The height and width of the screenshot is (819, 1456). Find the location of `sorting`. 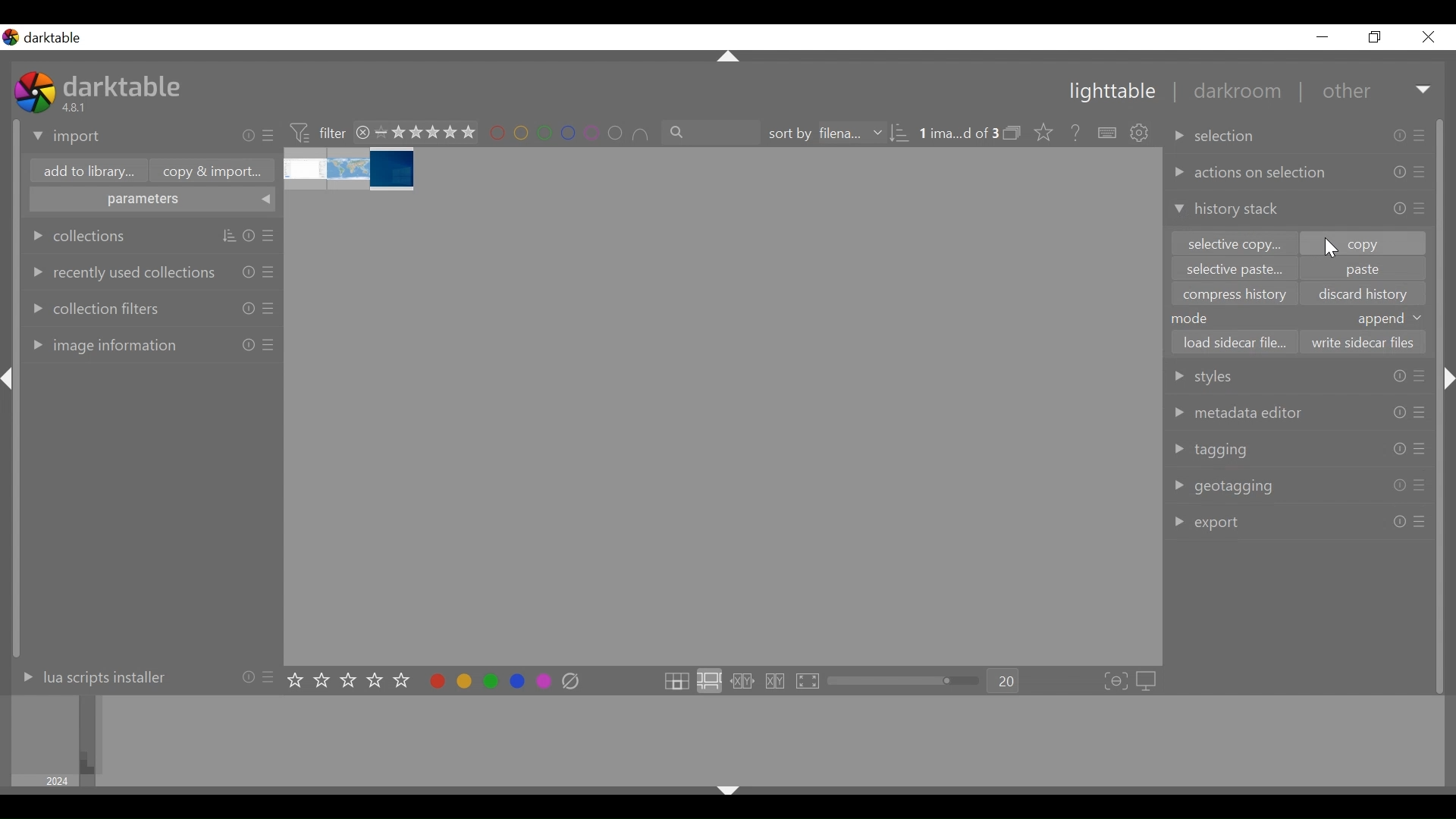

sorting is located at coordinates (229, 237).